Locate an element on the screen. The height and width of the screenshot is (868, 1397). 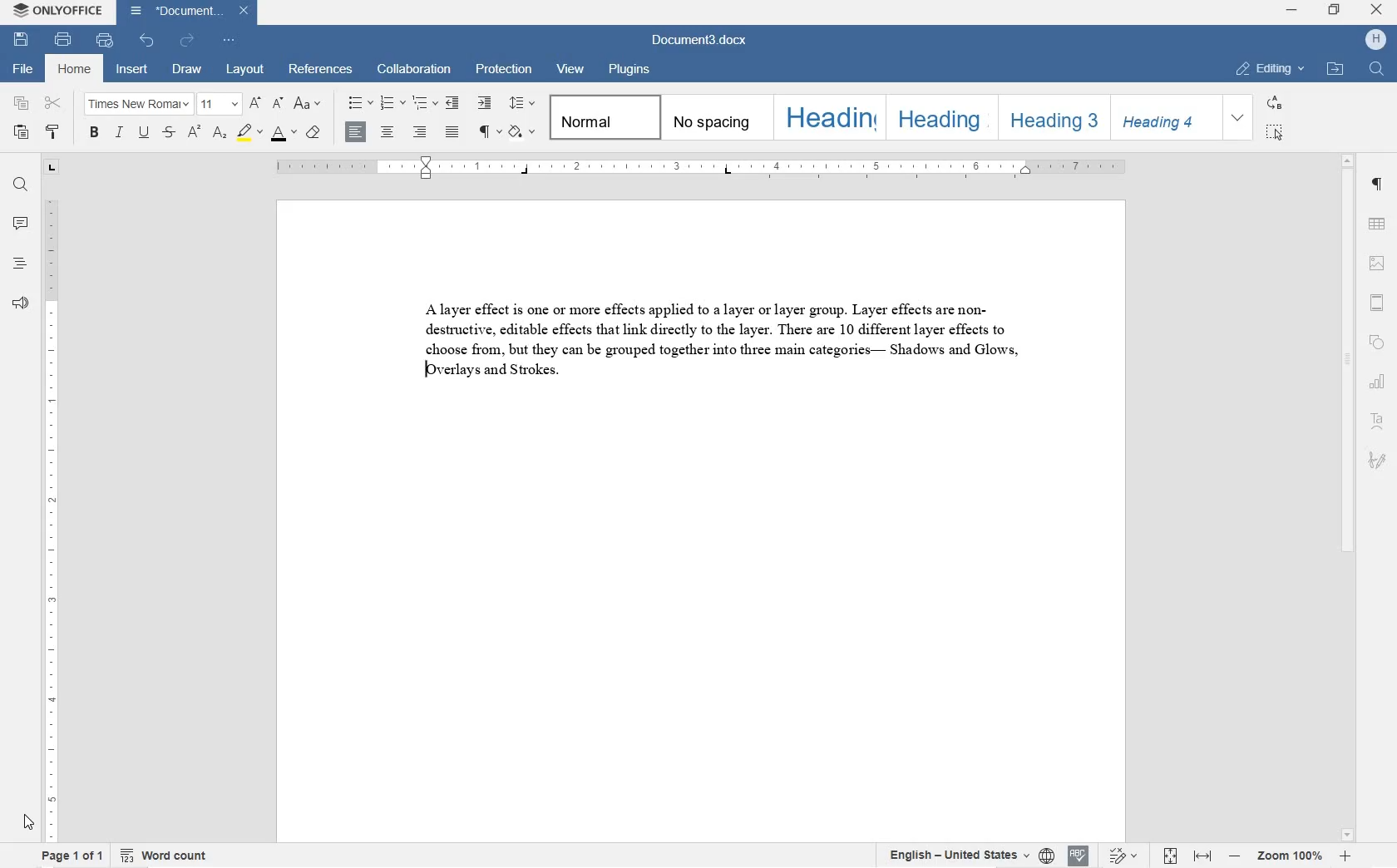
zoom out or in is located at coordinates (1287, 856).